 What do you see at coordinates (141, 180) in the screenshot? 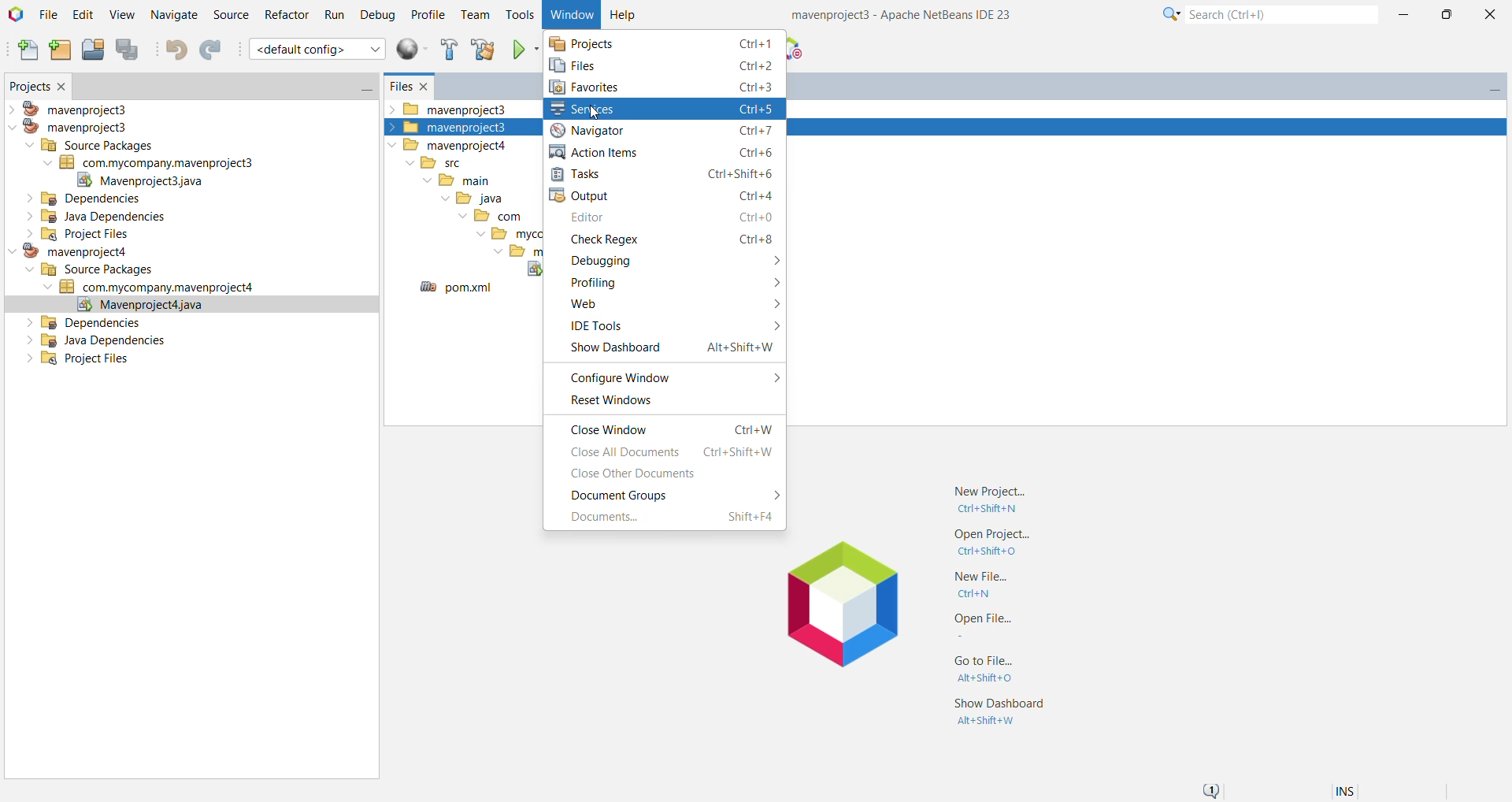
I see `Mavenproject.java` at bounding box center [141, 180].